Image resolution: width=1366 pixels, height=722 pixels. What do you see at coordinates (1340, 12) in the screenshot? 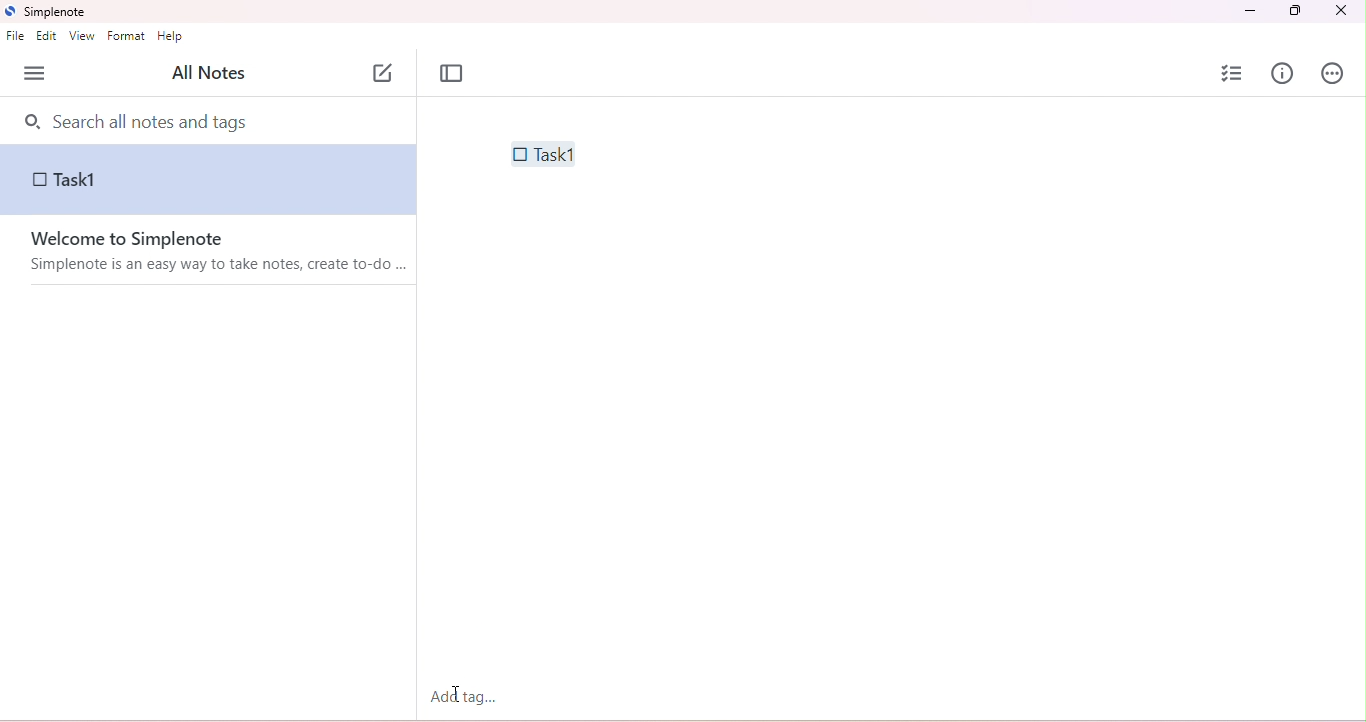
I see `close` at bounding box center [1340, 12].